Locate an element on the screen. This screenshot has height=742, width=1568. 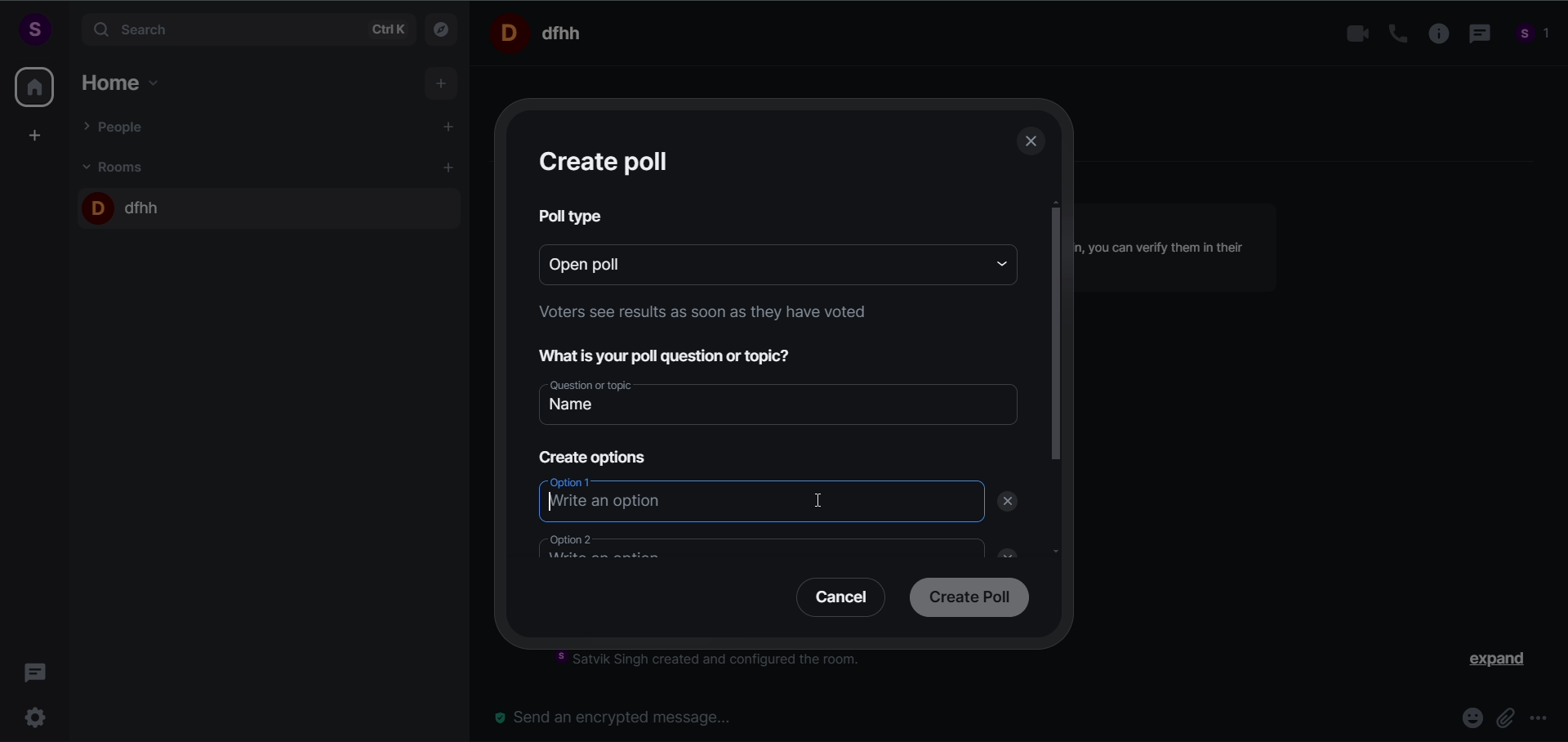
video call is located at coordinates (1353, 34).